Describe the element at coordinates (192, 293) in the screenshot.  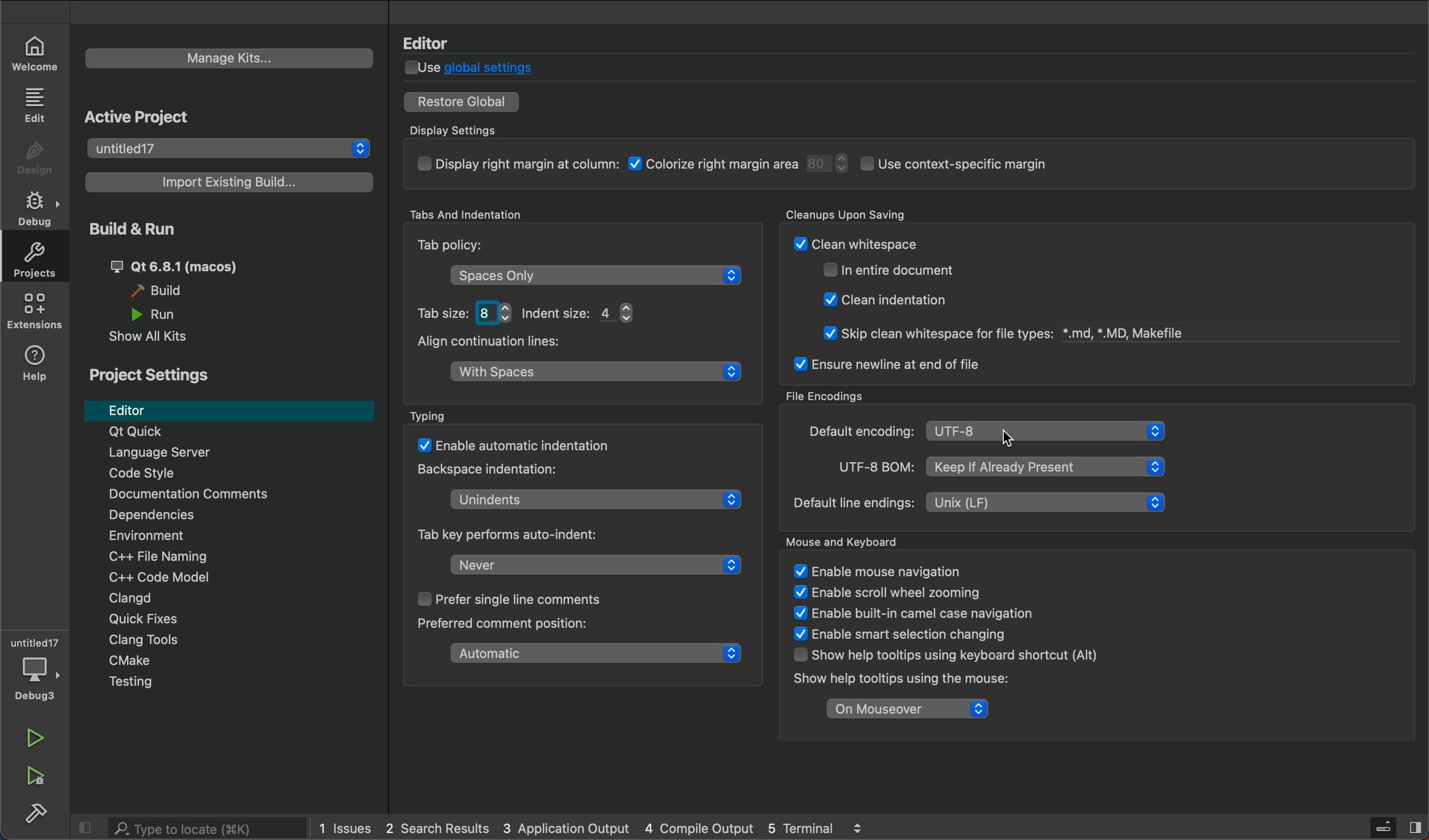
I see `build` at that location.